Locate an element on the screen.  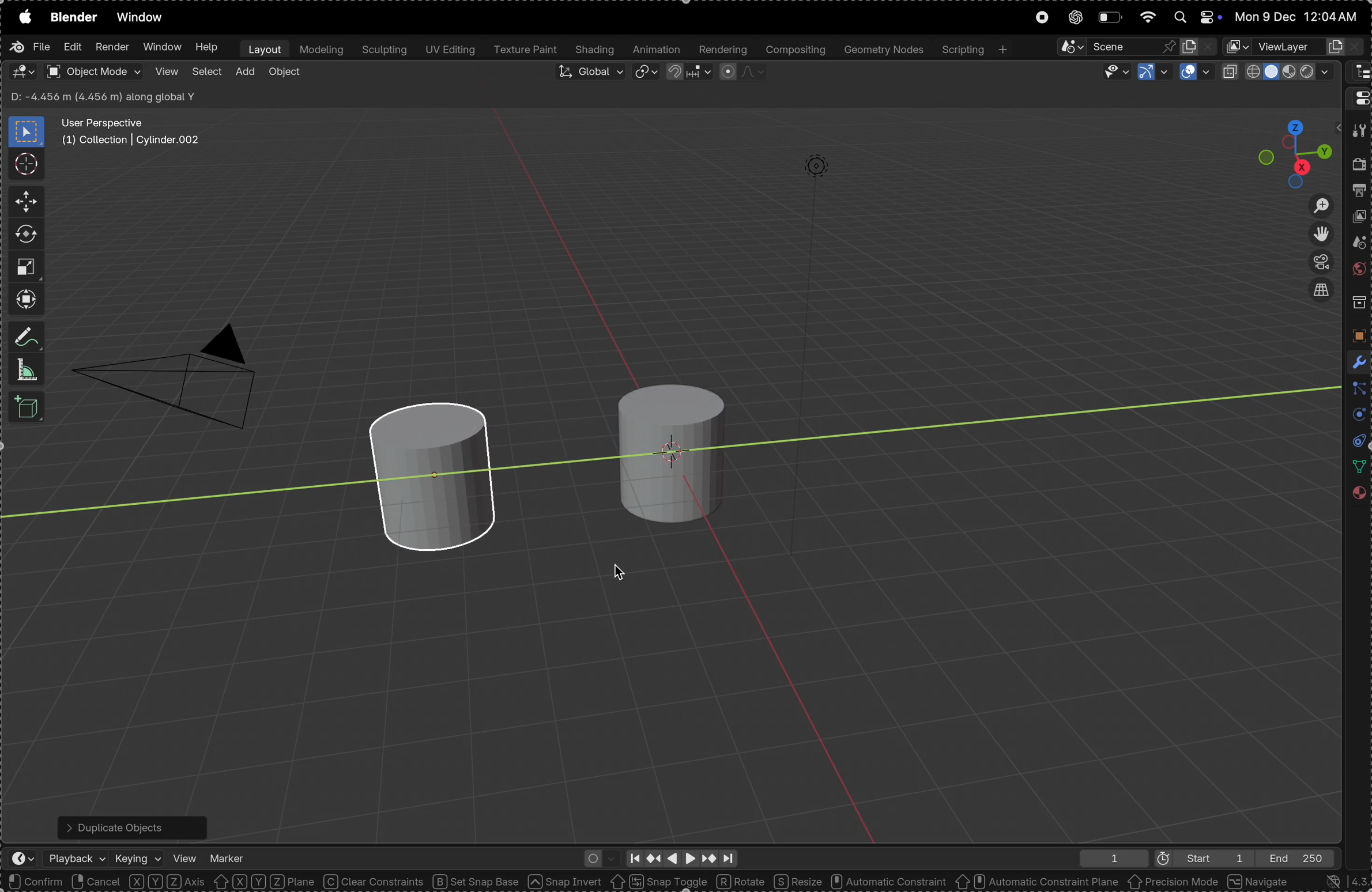
chatgpt is located at coordinates (1072, 18).